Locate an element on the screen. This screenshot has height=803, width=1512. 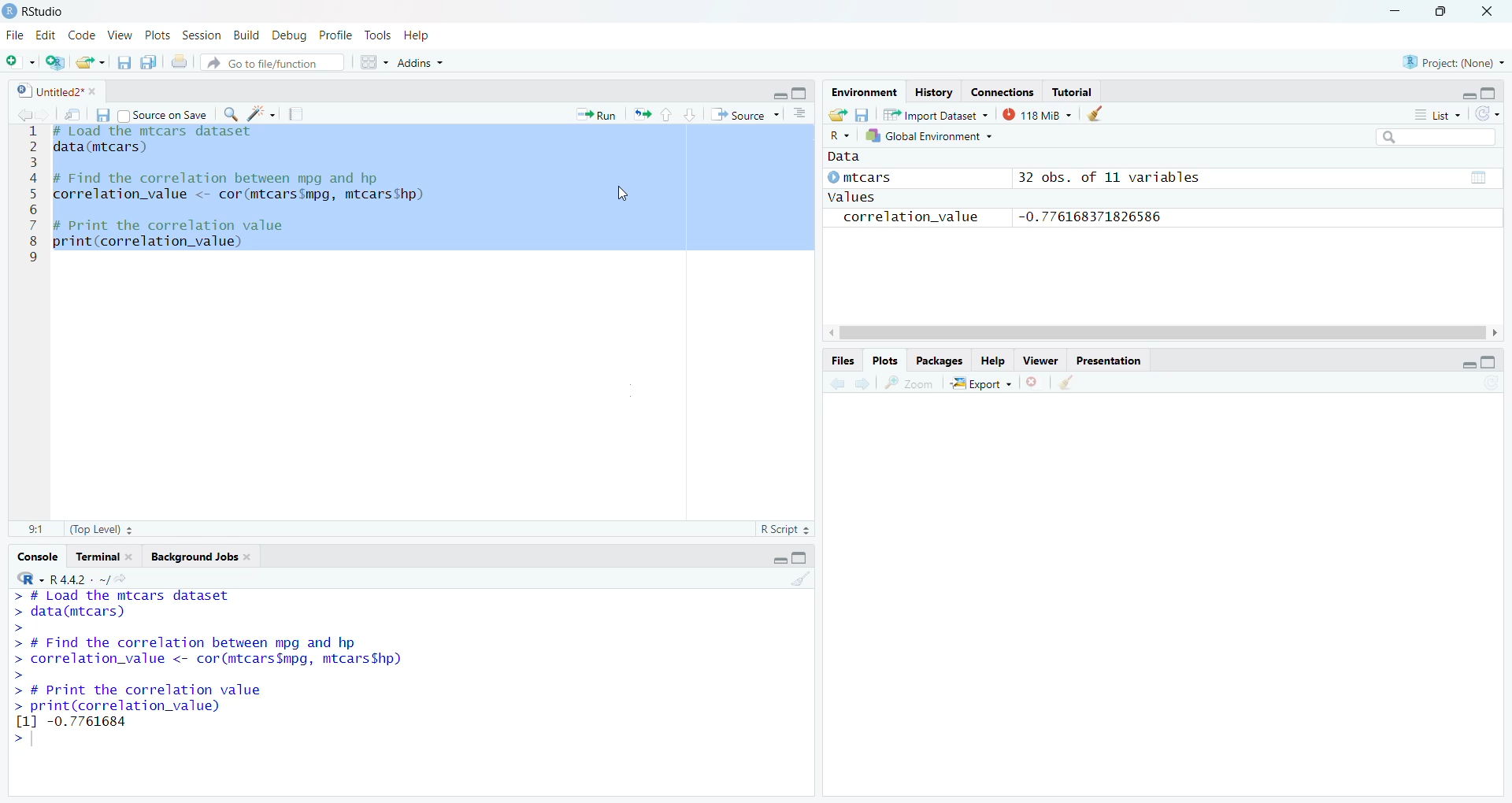
> data(mtcars)

>

> # Find the correlation between mpg and hp

> correlation_value <- cor(mtcars$mpg, mtcarsShp)
>

> # Print the correlation value

> print(correlation_value)

[1] -0.7761684

> is located at coordinates (224, 672).